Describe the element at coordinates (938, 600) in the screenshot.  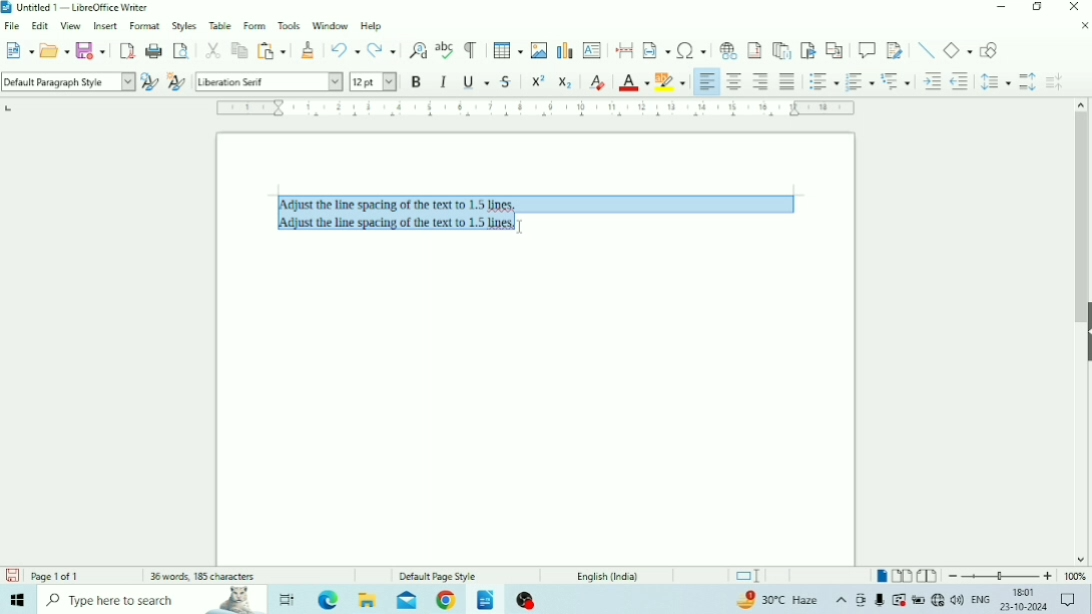
I see `Internet` at that location.